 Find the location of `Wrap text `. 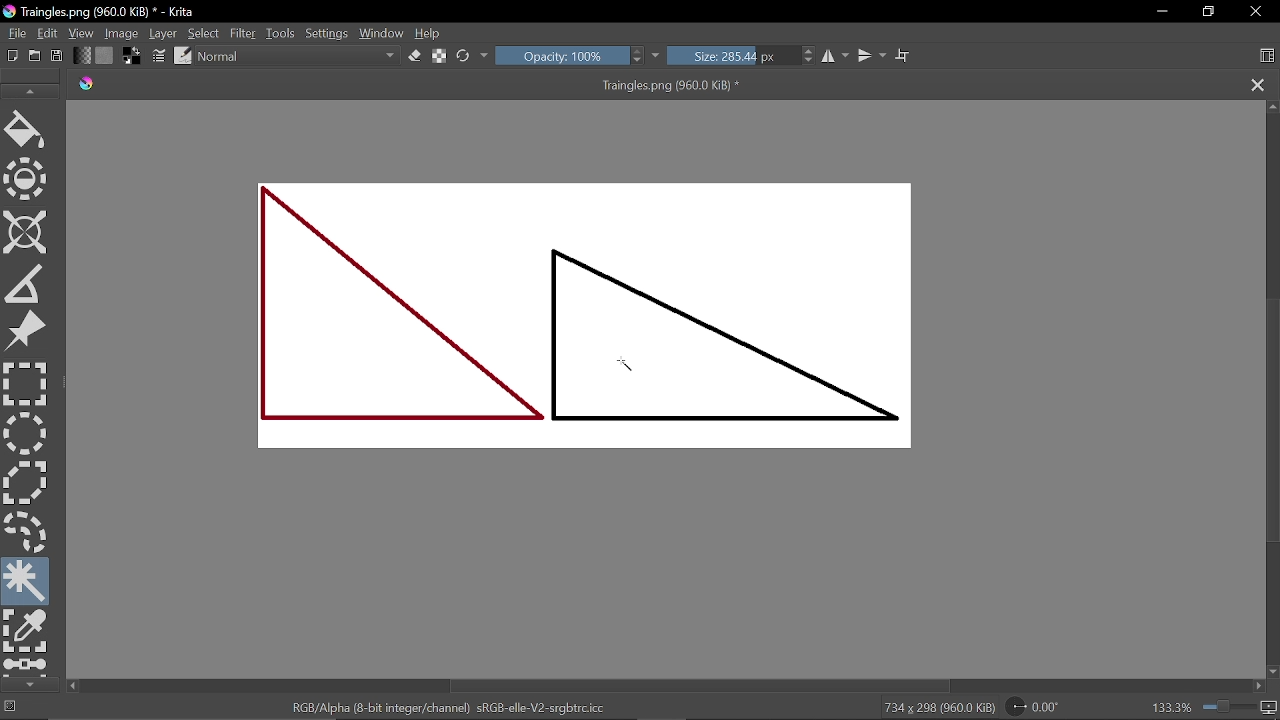

Wrap text  is located at coordinates (904, 56).